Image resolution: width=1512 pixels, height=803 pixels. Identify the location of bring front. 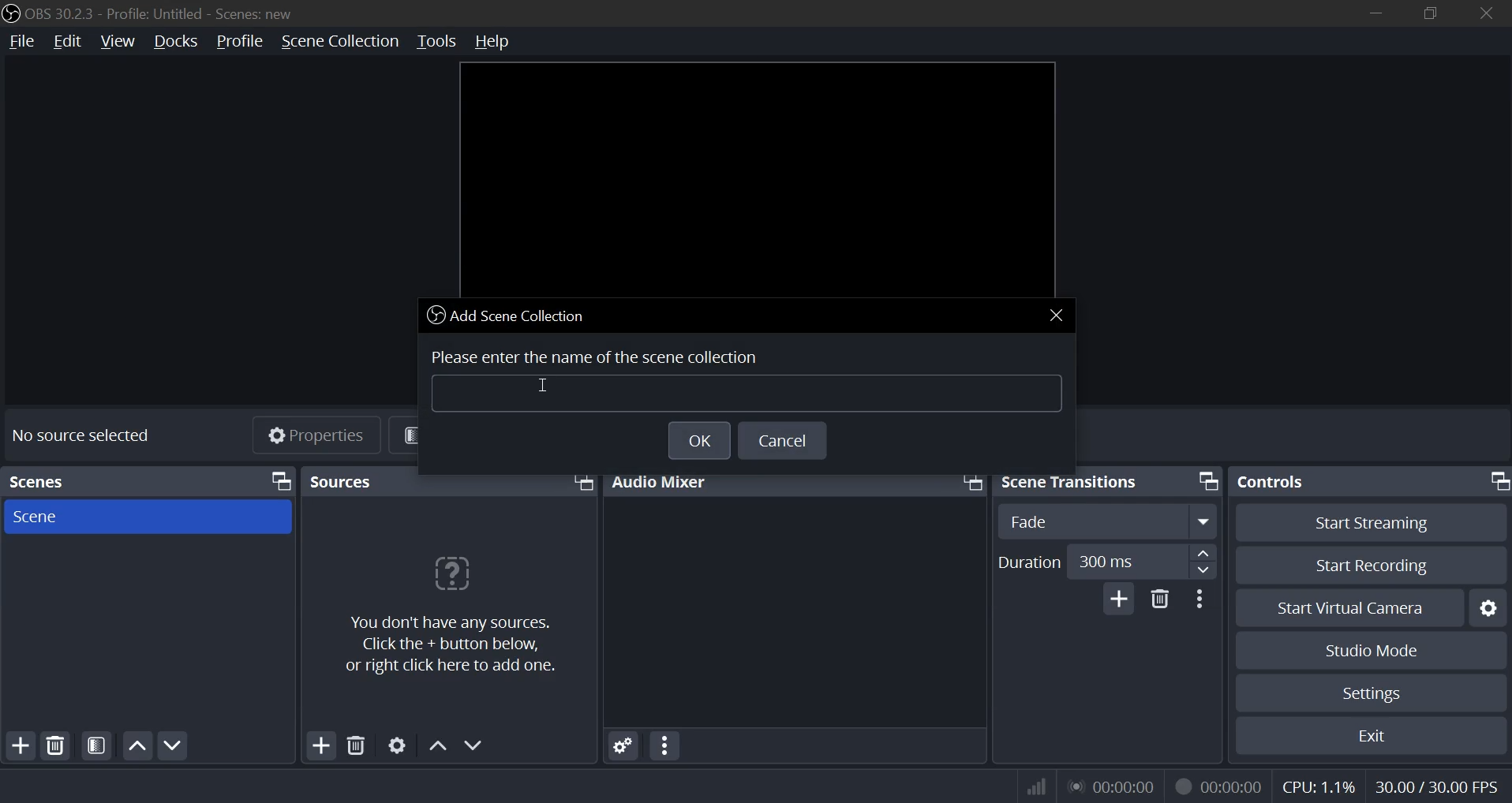
(970, 480).